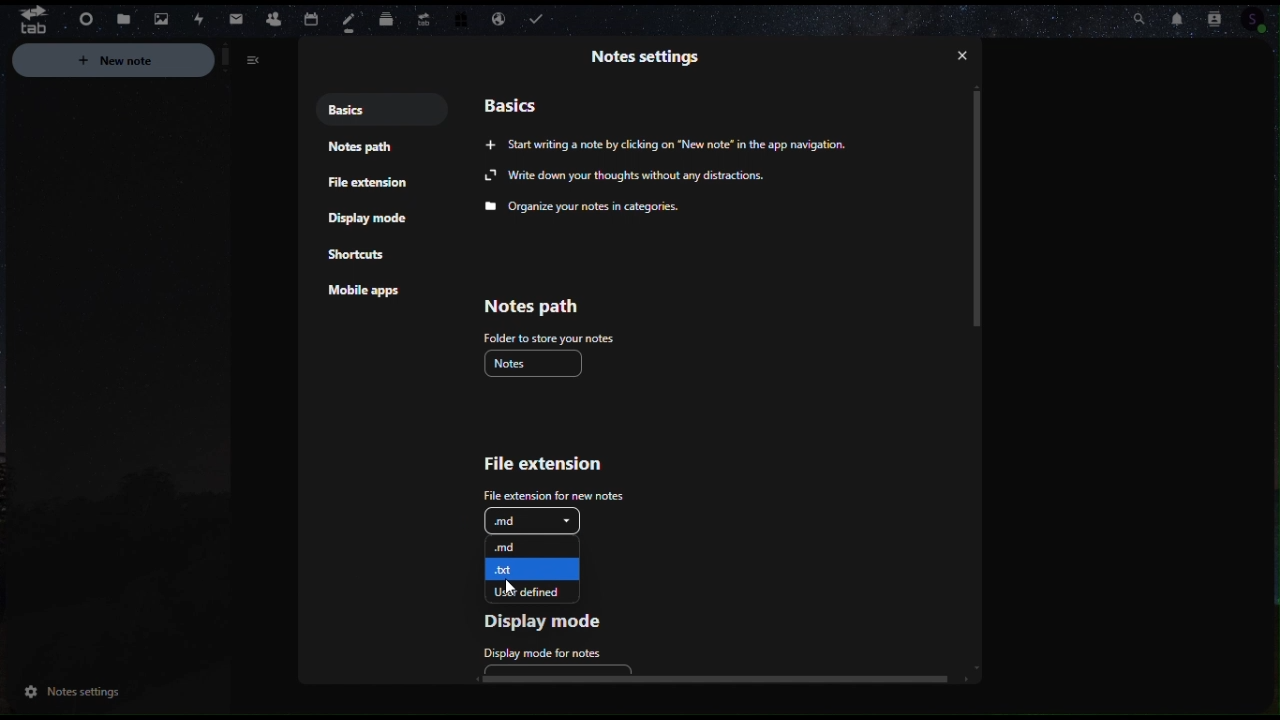  I want to click on .txt, so click(531, 567).